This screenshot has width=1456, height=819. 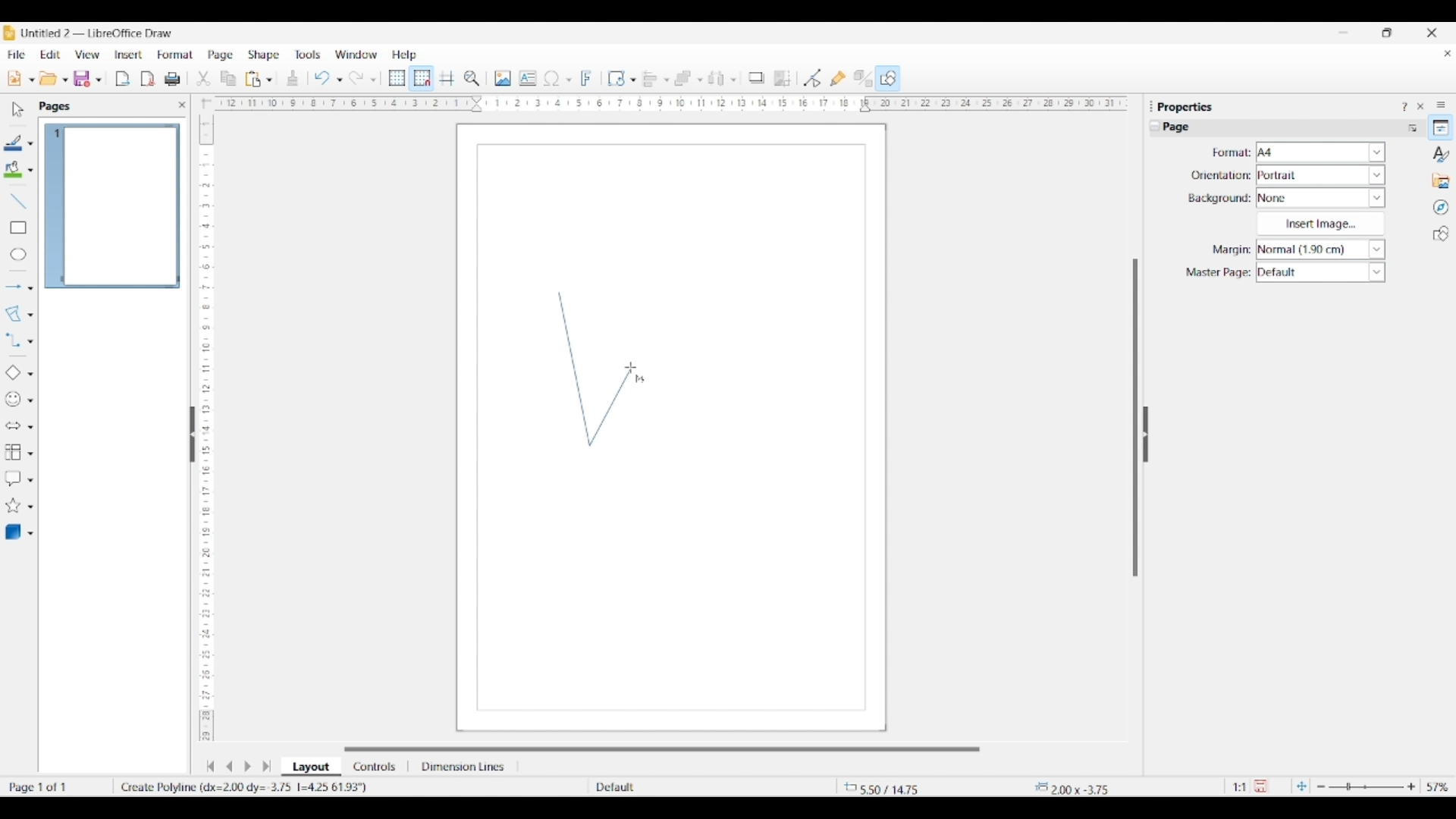 What do you see at coordinates (1441, 208) in the screenshot?
I see `Navigator` at bounding box center [1441, 208].